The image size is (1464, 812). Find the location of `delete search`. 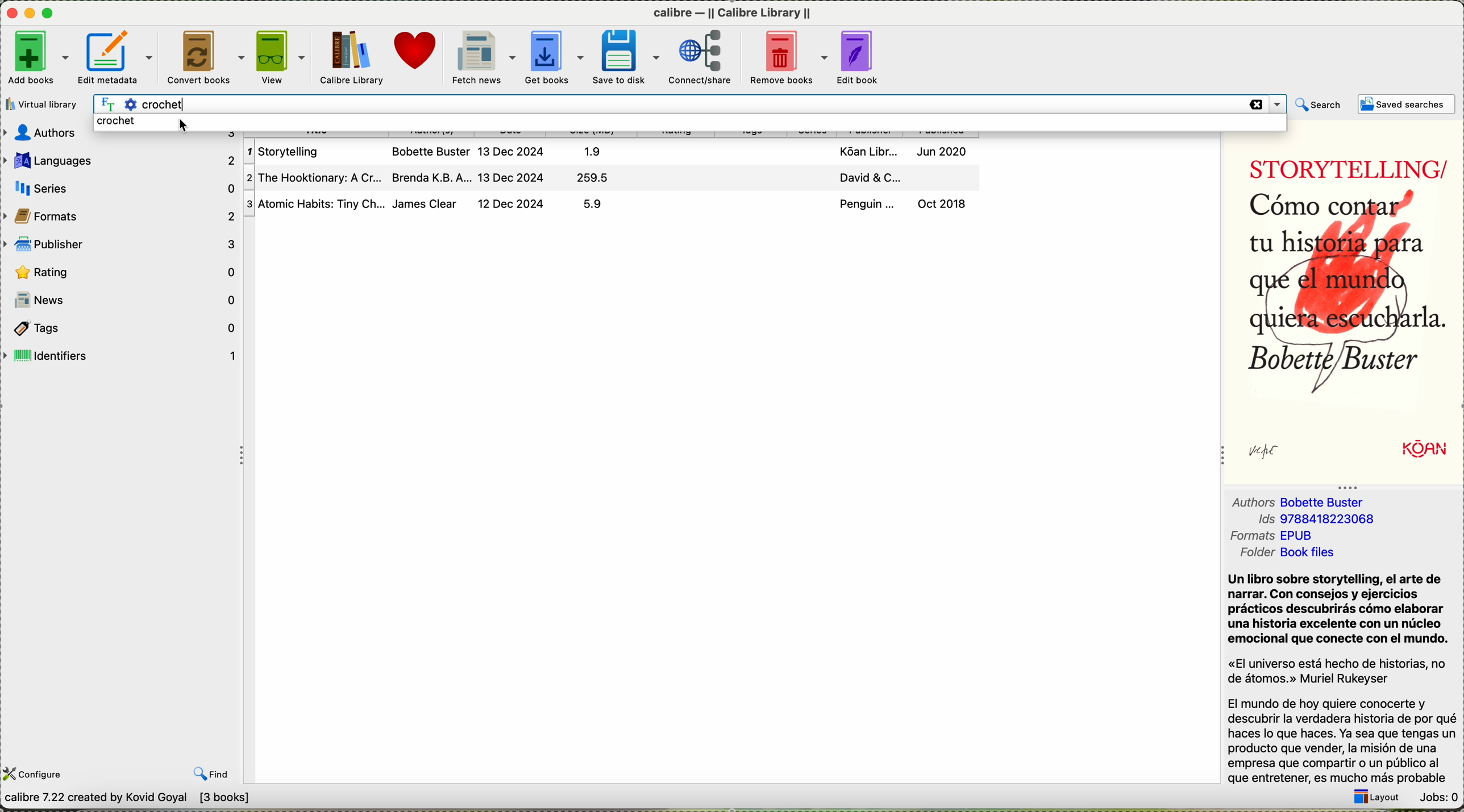

delete search is located at coordinates (1254, 104).